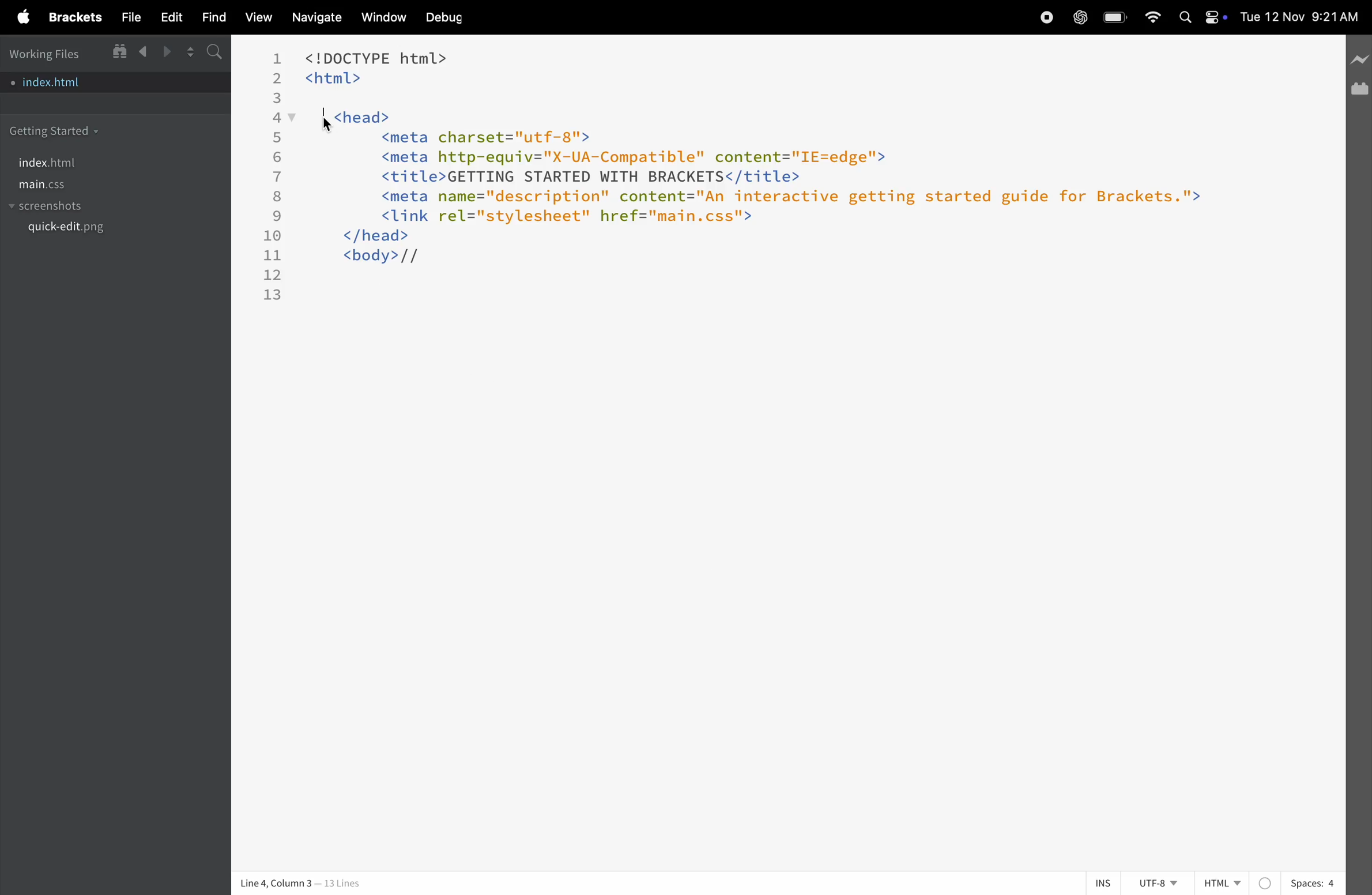  I want to click on brackets, so click(74, 16).